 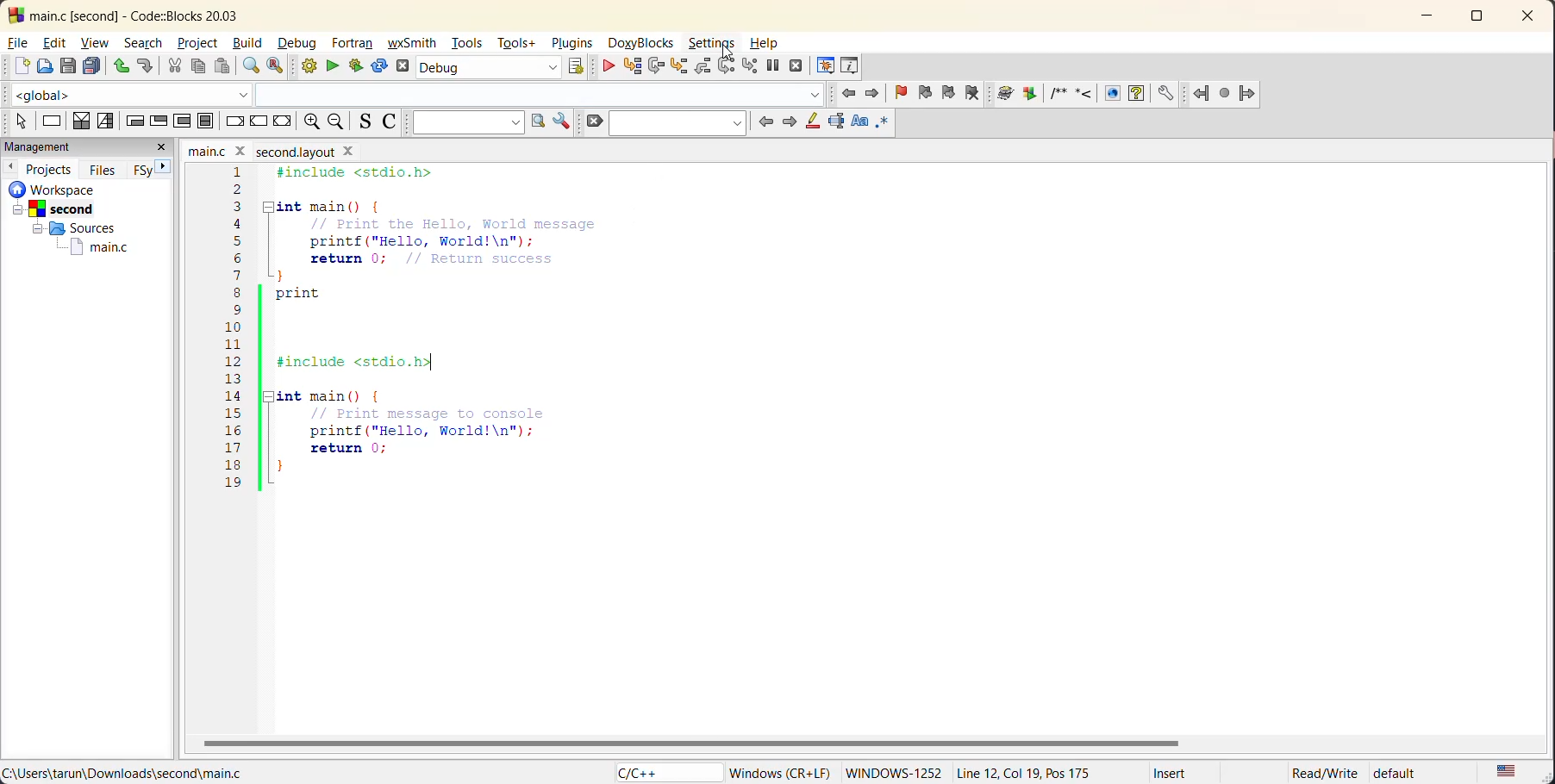 I want to click on select, so click(x=21, y=121).